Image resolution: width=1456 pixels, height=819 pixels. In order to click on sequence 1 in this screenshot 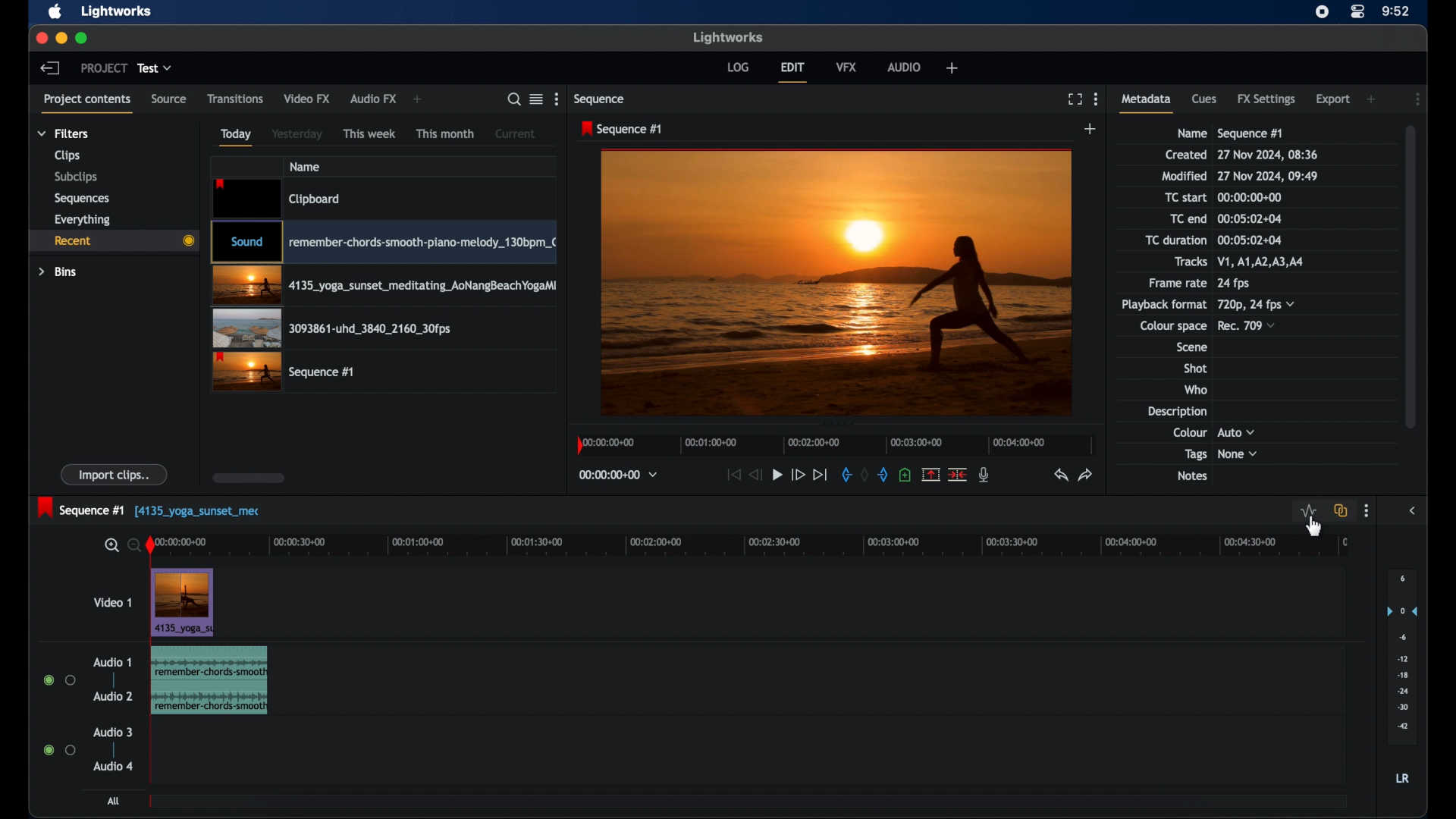, I will do `click(622, 129)`.